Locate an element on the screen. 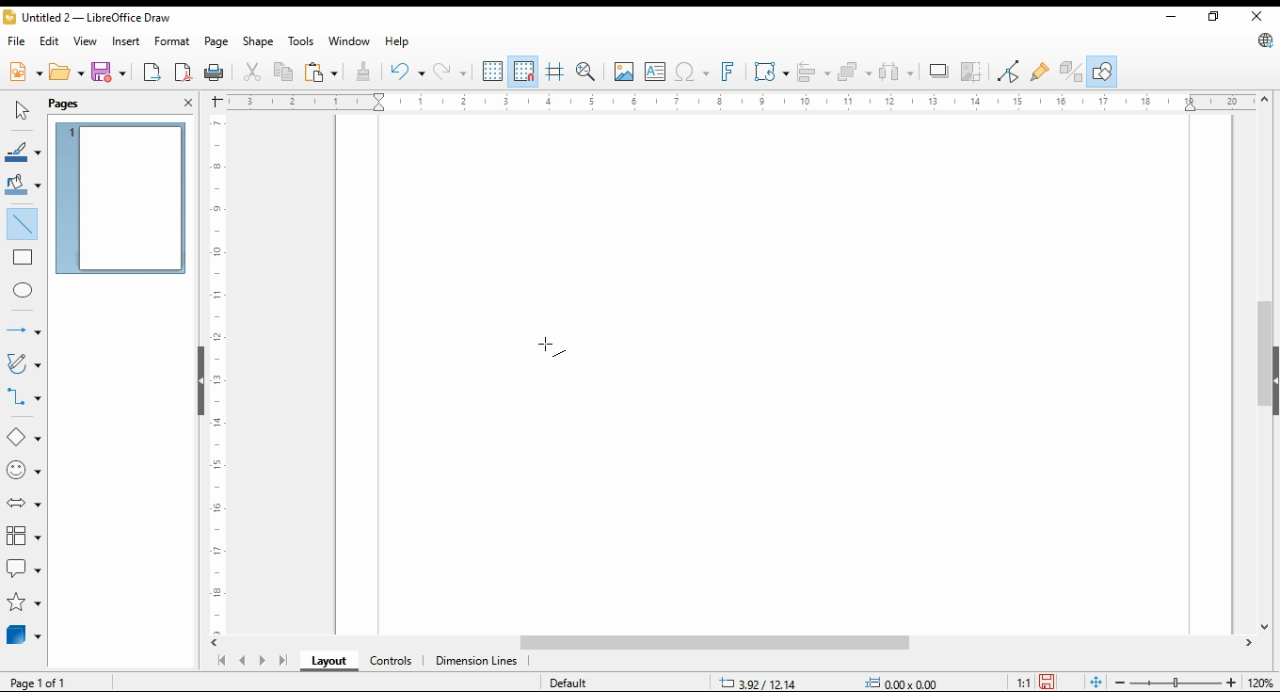  new is located at coordinates (25, 70).